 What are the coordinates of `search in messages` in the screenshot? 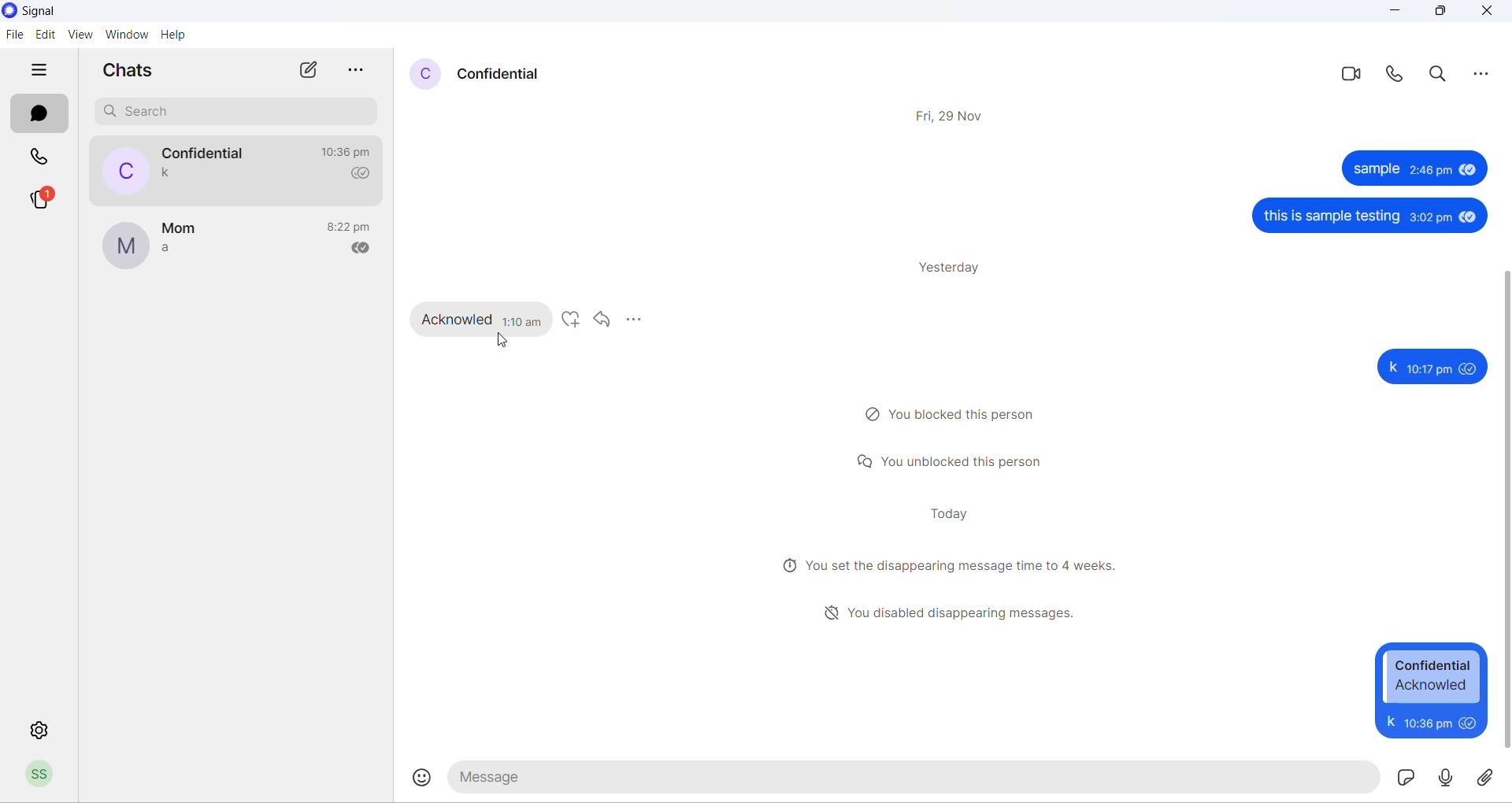 It's located at (1440, 73).